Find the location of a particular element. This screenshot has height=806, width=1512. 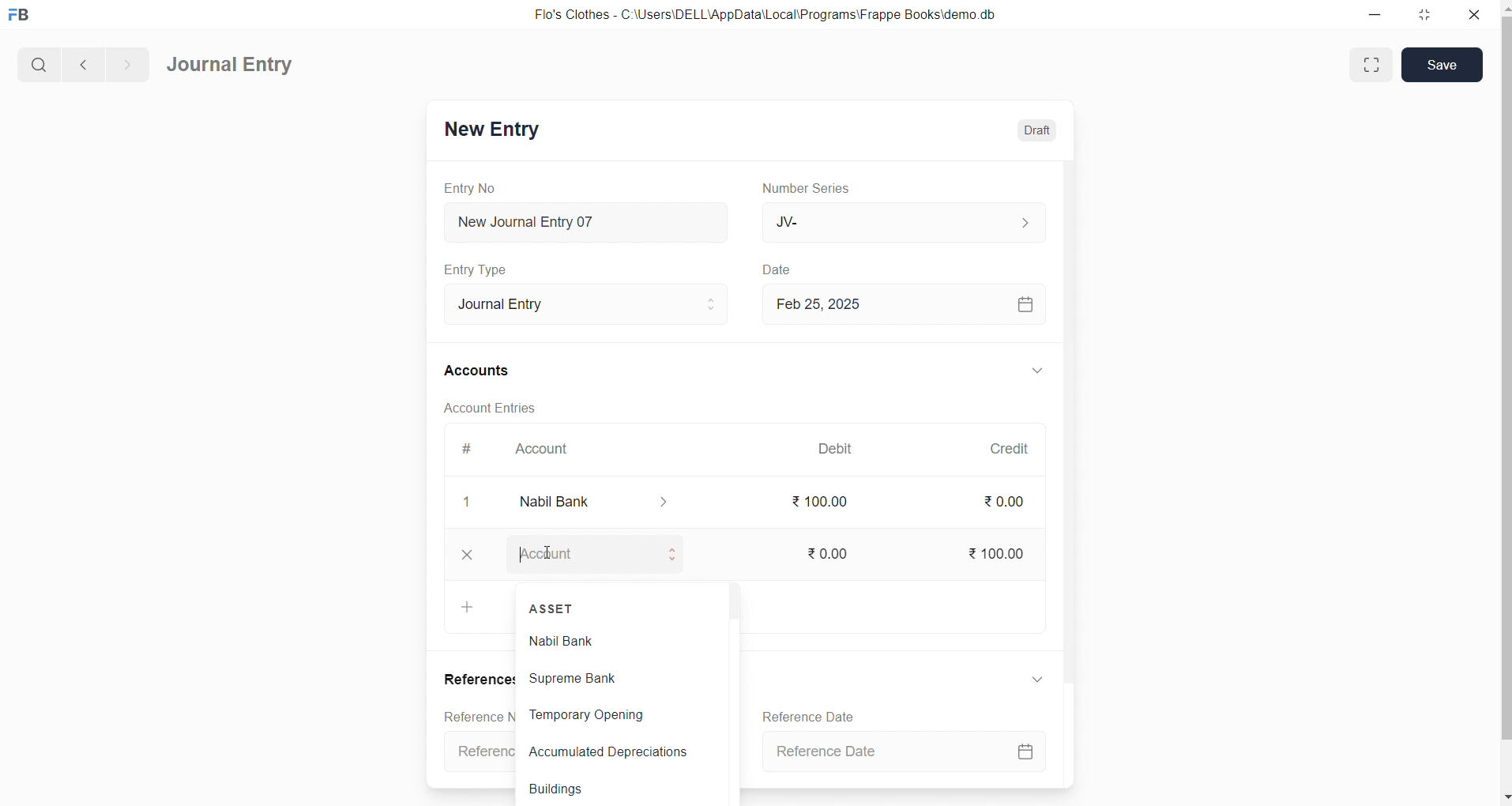

Buildings is located at coordinates (612, 785).